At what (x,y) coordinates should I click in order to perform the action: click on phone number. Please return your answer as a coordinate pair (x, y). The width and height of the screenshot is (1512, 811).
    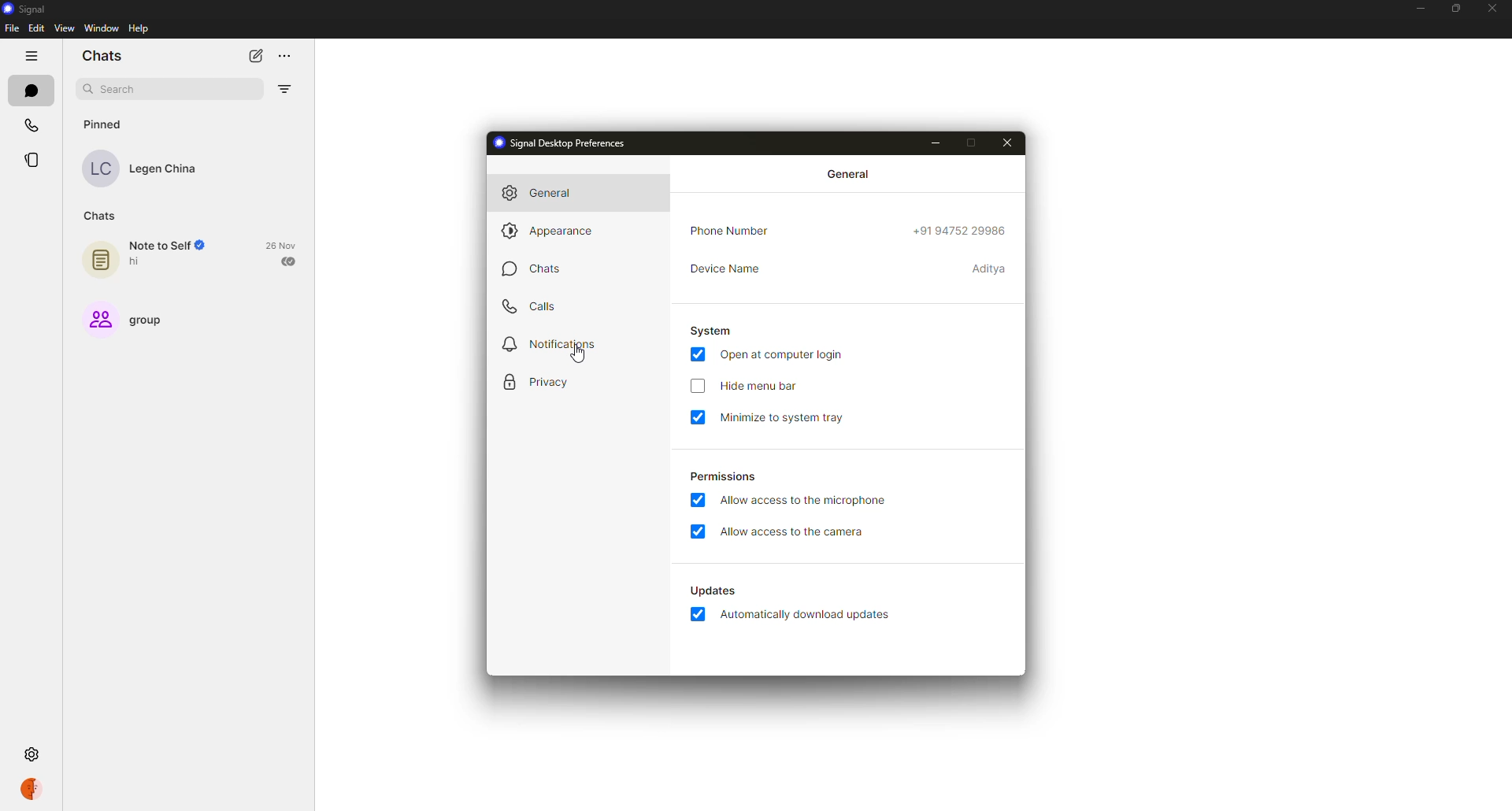
    Looking at the image, I should click on (960, 229).